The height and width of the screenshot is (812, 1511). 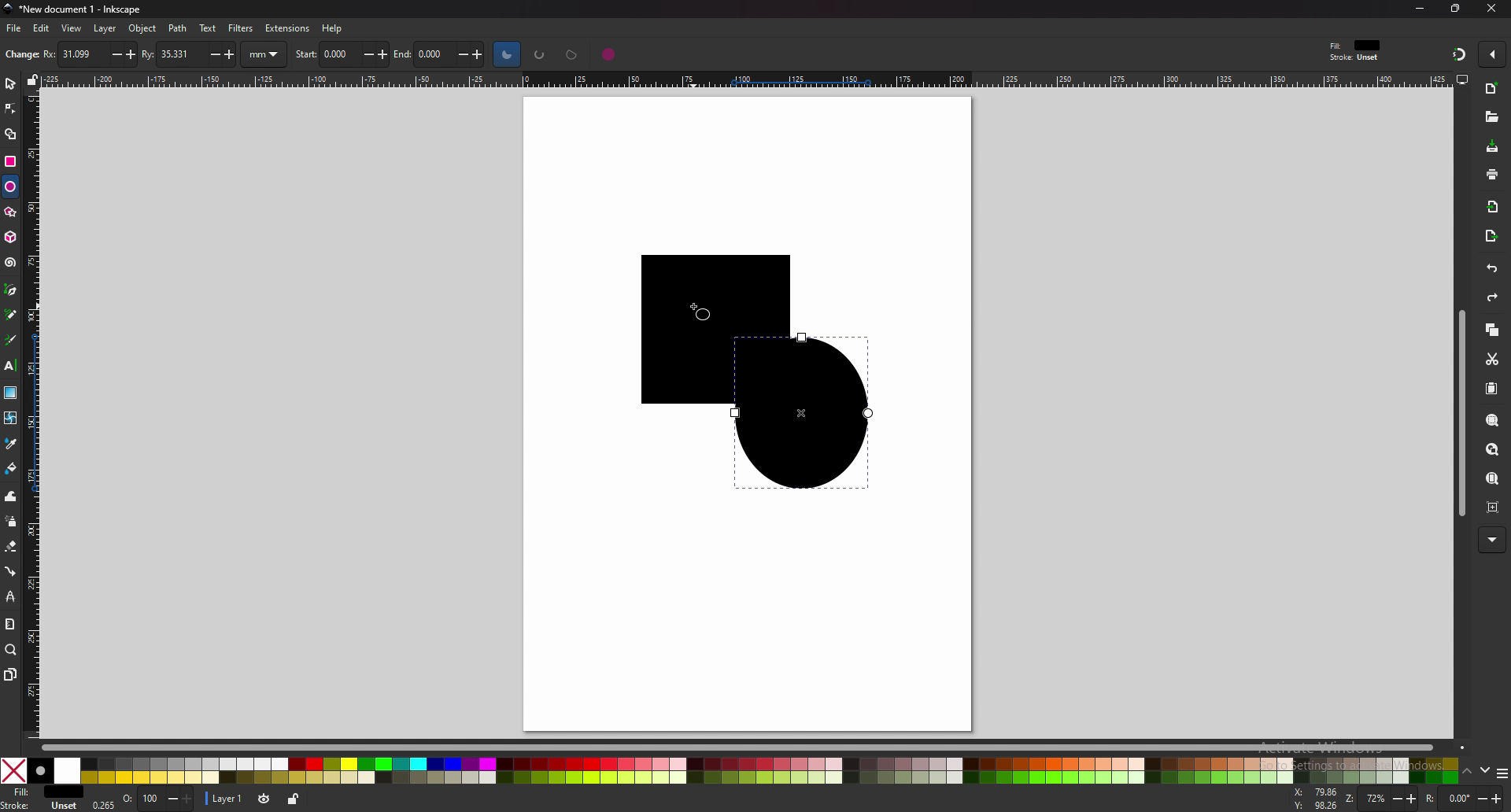 I want to click on shapes, so click(x=737, y=372).